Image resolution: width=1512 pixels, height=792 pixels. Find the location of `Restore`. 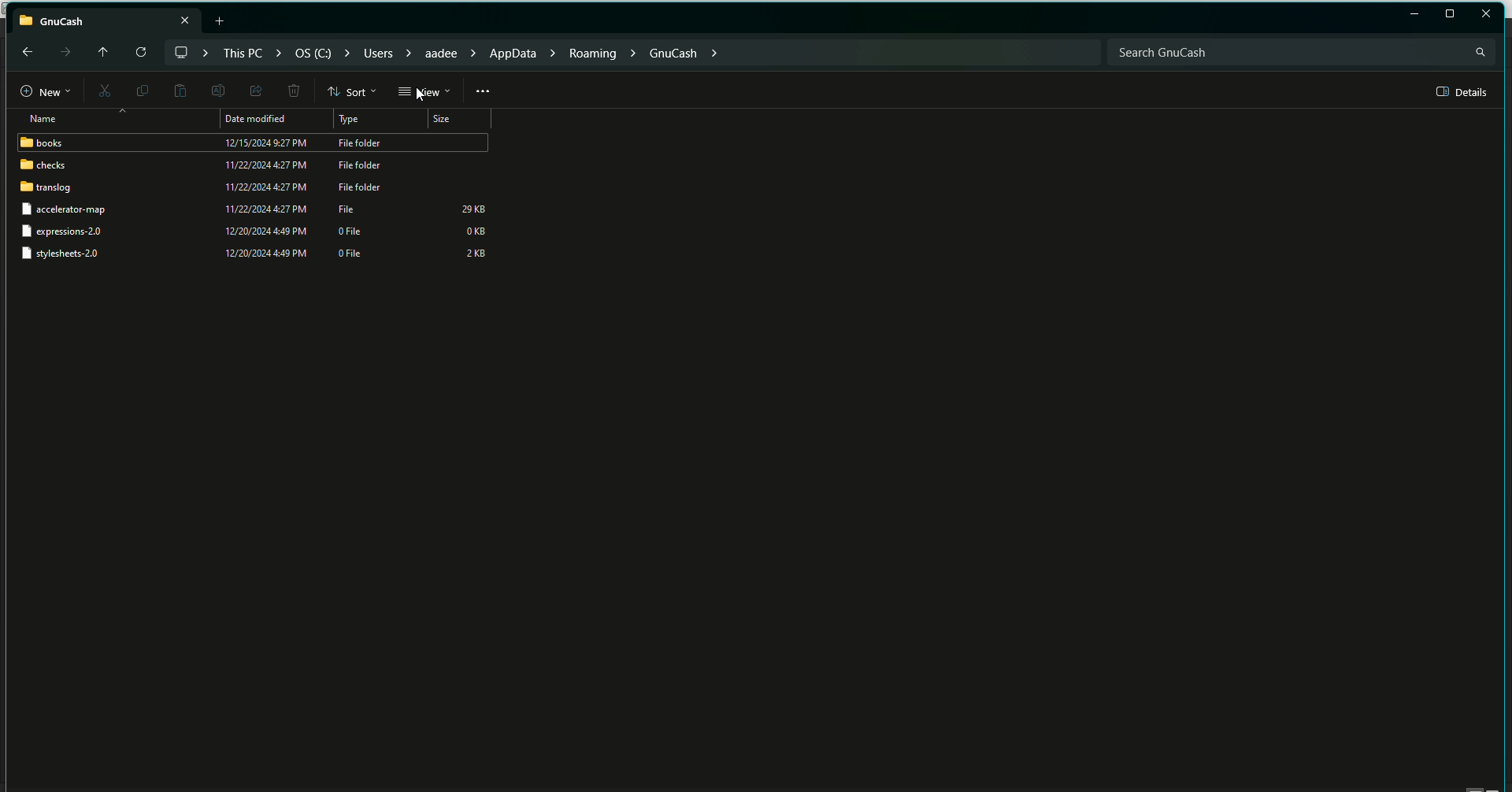

Restore is located at coordinates (1450, 14).